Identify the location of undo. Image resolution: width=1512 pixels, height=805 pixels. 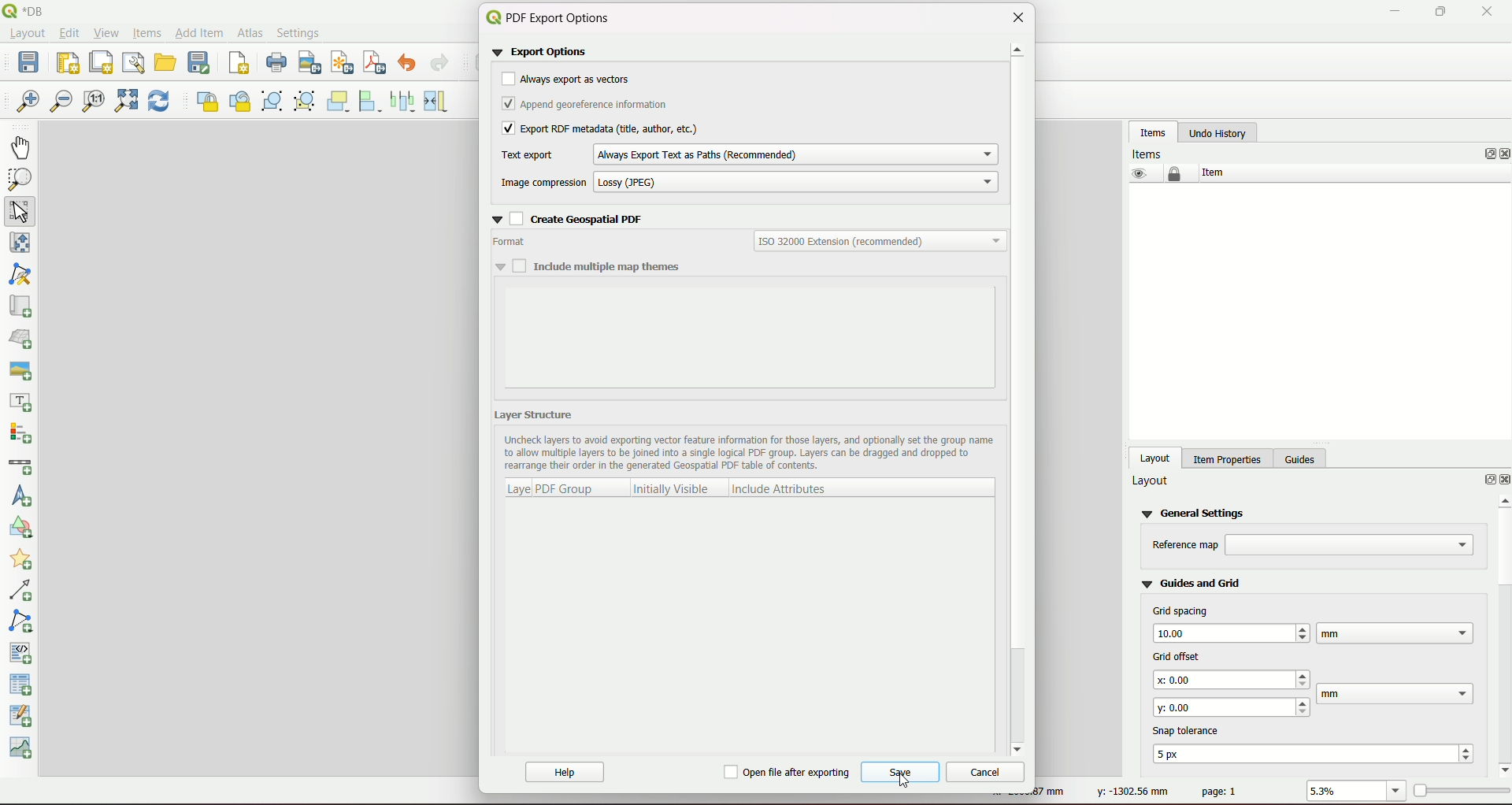
(410, 64).